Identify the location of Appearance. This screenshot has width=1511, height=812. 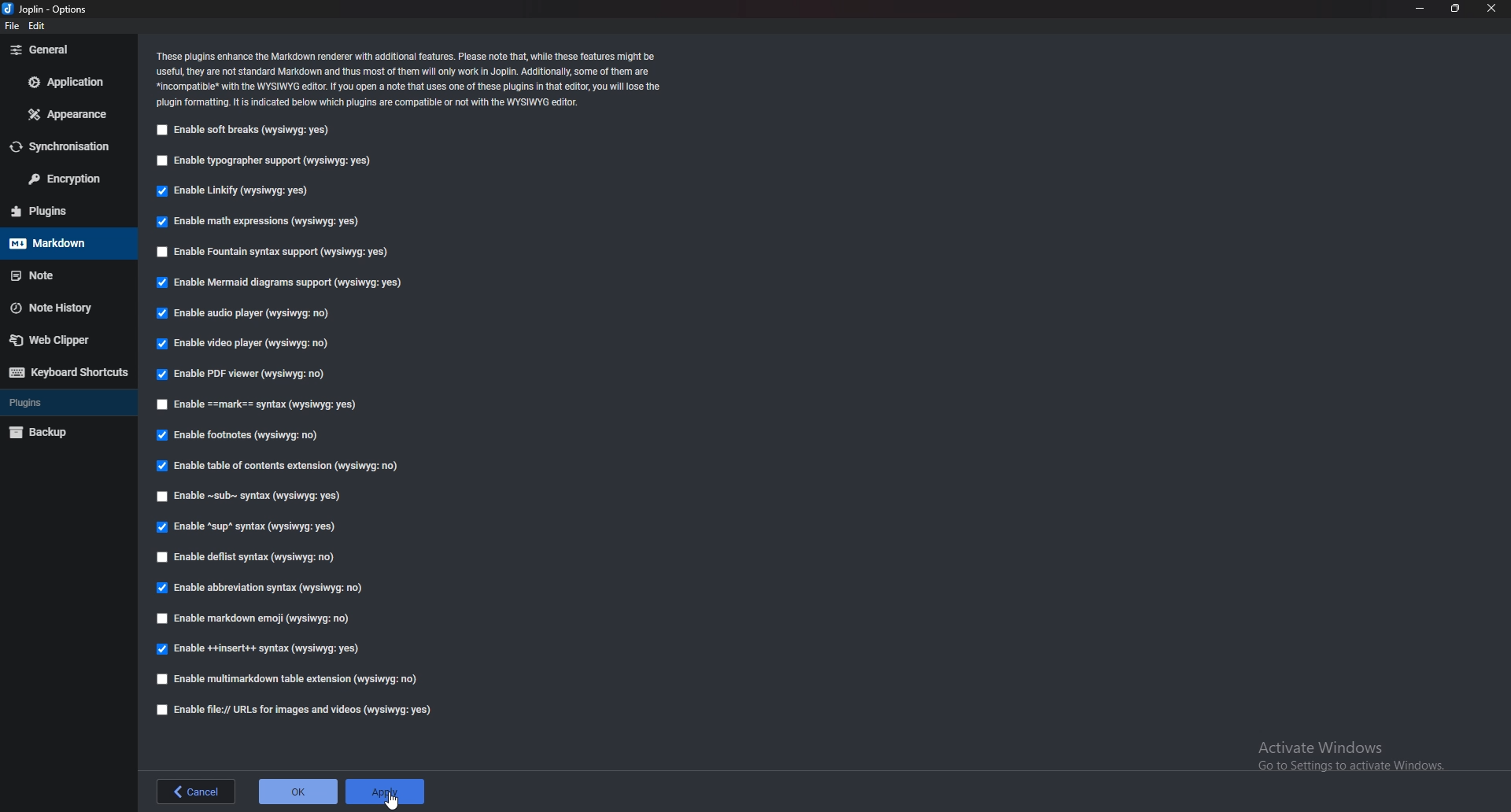
(63, 116).